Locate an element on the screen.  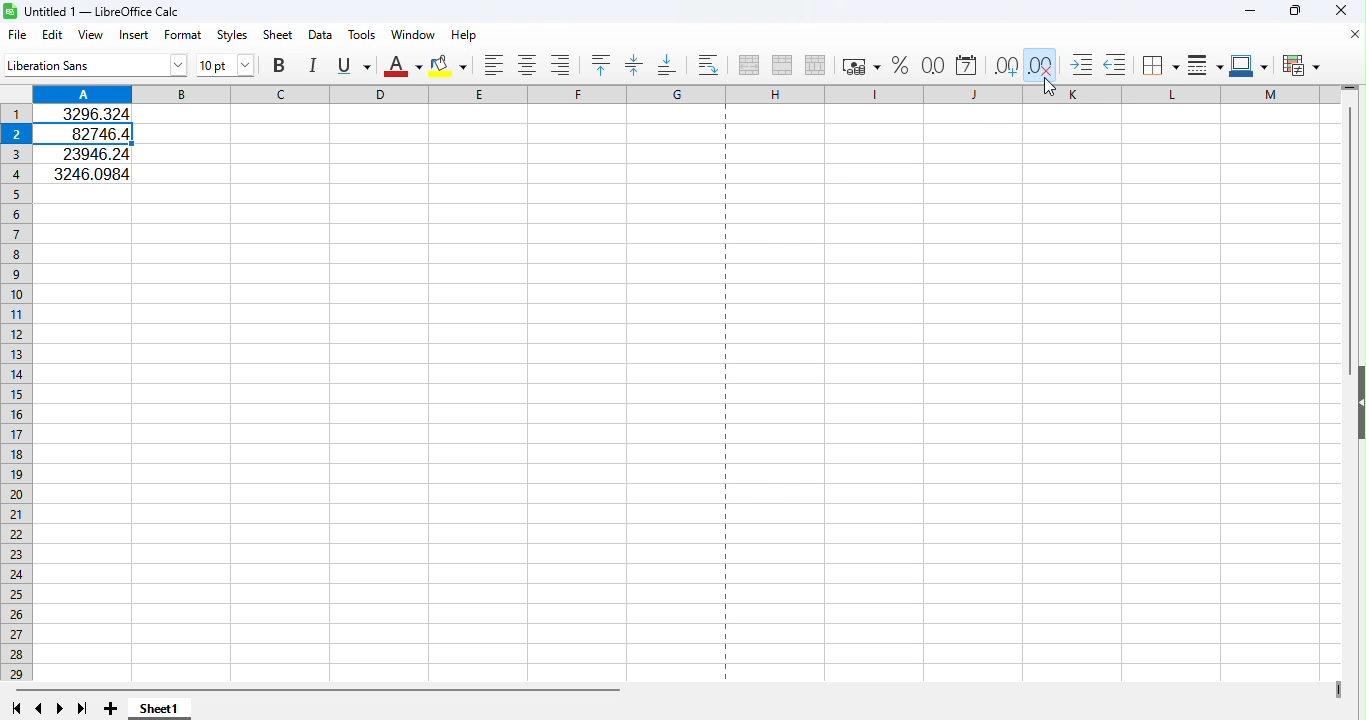
Increase indent is located at coordinates (1081, 64).